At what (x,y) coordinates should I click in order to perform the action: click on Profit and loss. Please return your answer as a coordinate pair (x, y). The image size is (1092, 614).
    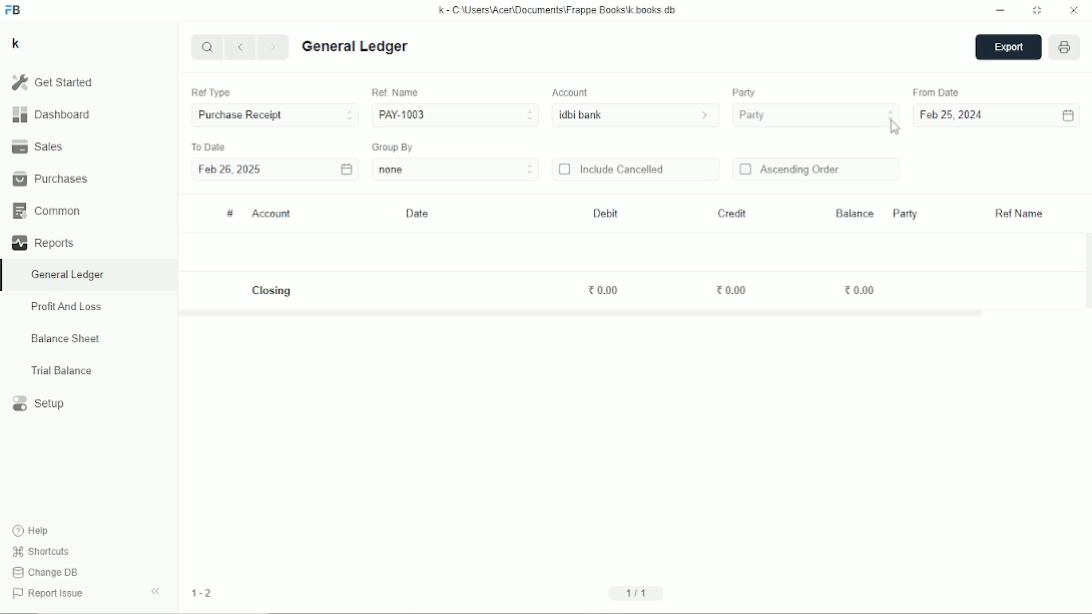
    Looking at the image, I should click on (66, 307).